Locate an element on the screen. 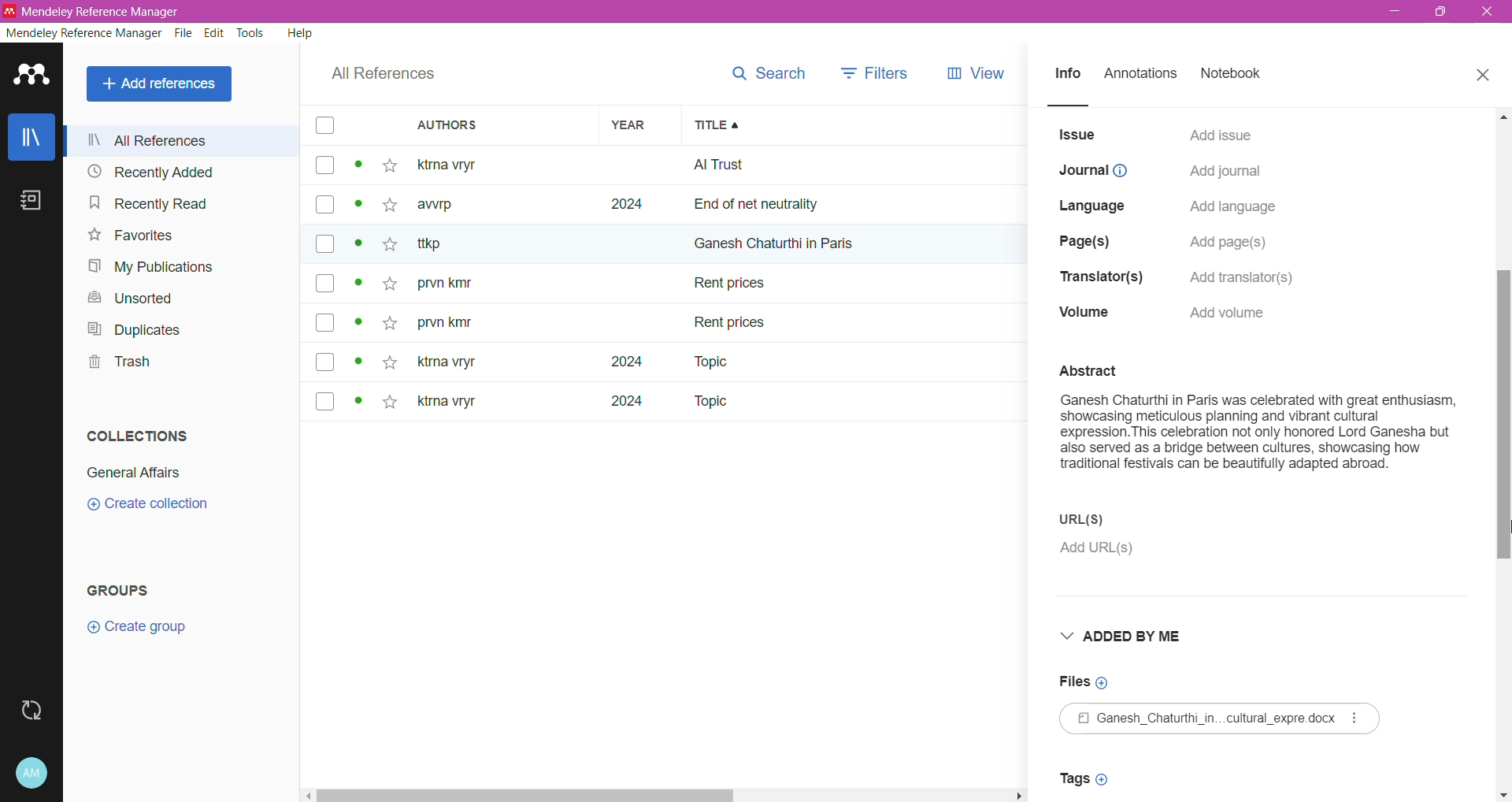  Translators is located at coordinates (1096, 278).